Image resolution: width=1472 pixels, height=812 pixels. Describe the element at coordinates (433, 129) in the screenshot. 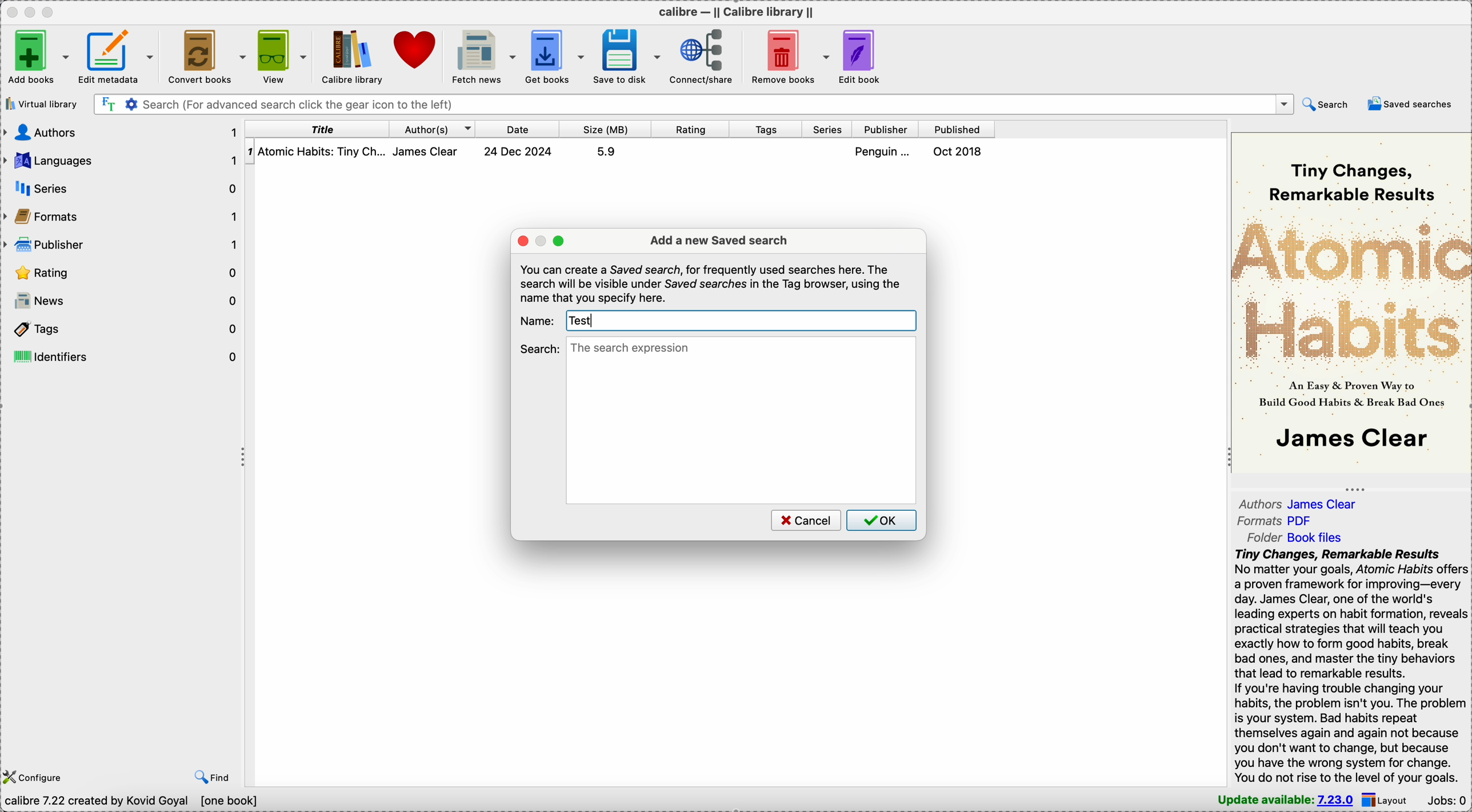

I see `authors` at that location.